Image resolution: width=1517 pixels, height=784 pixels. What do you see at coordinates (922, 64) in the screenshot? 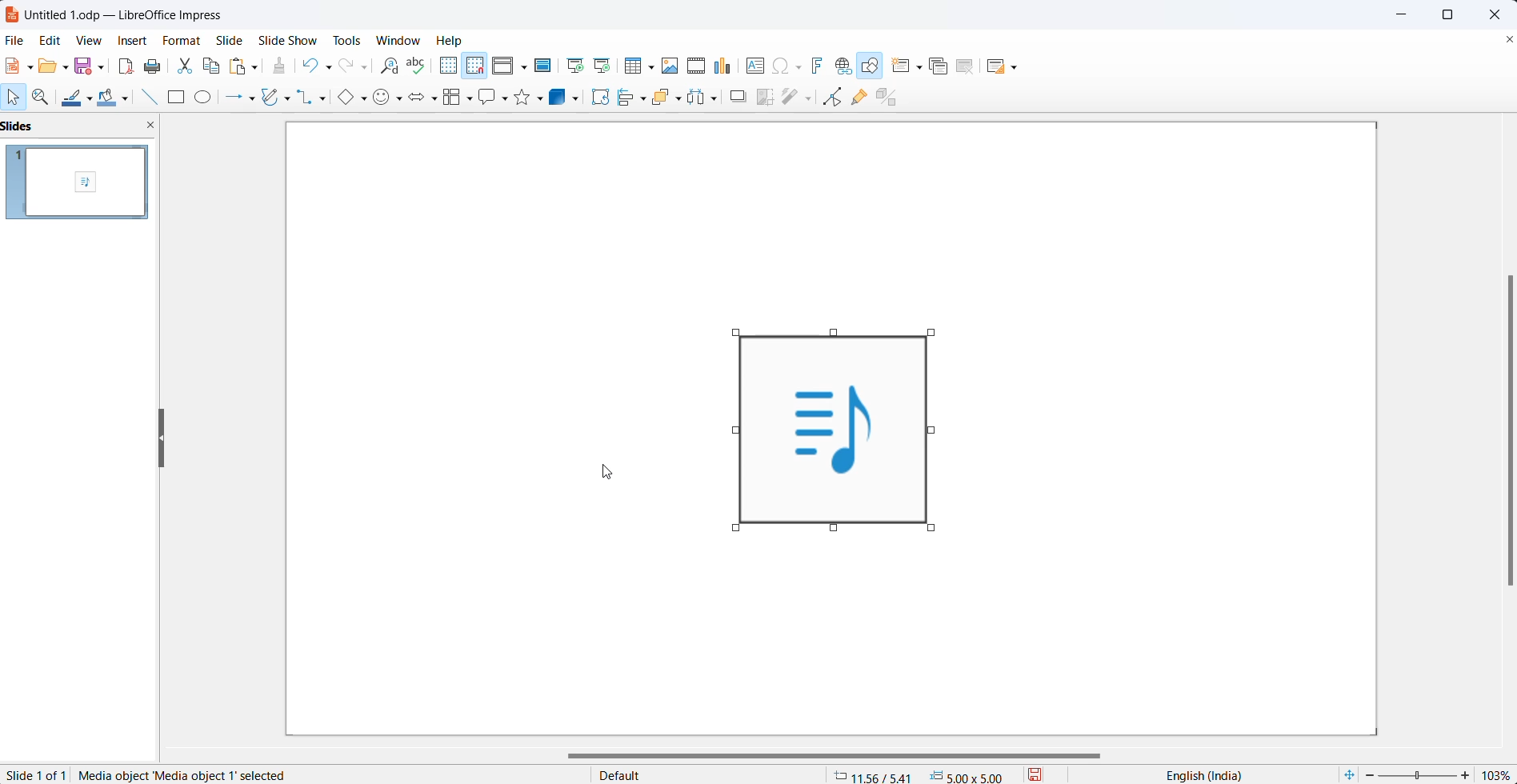
I see `new slide options dropdown button` at bounding box center [922, 64].